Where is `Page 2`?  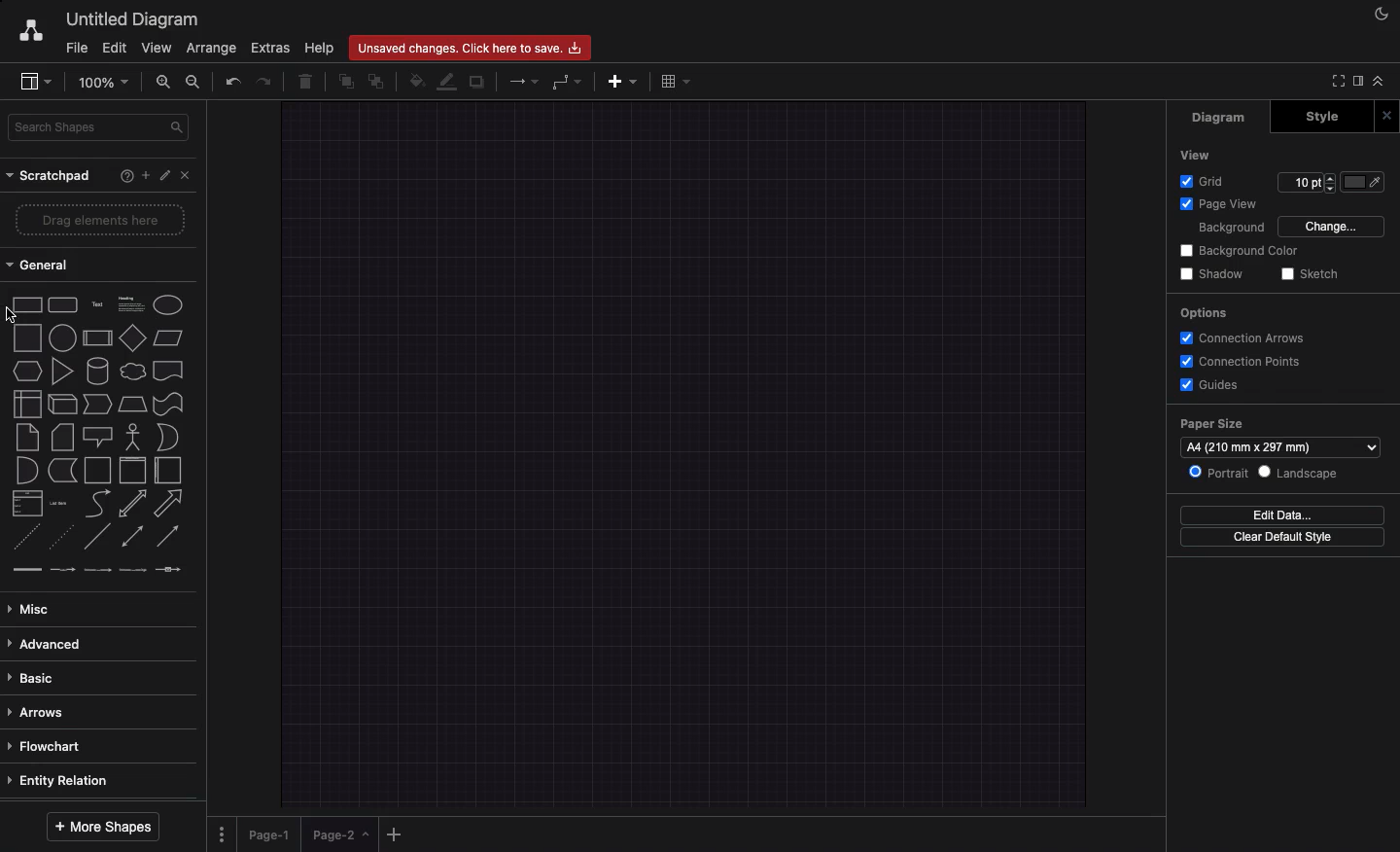 Page 2 is located at coordinates (338, 838).